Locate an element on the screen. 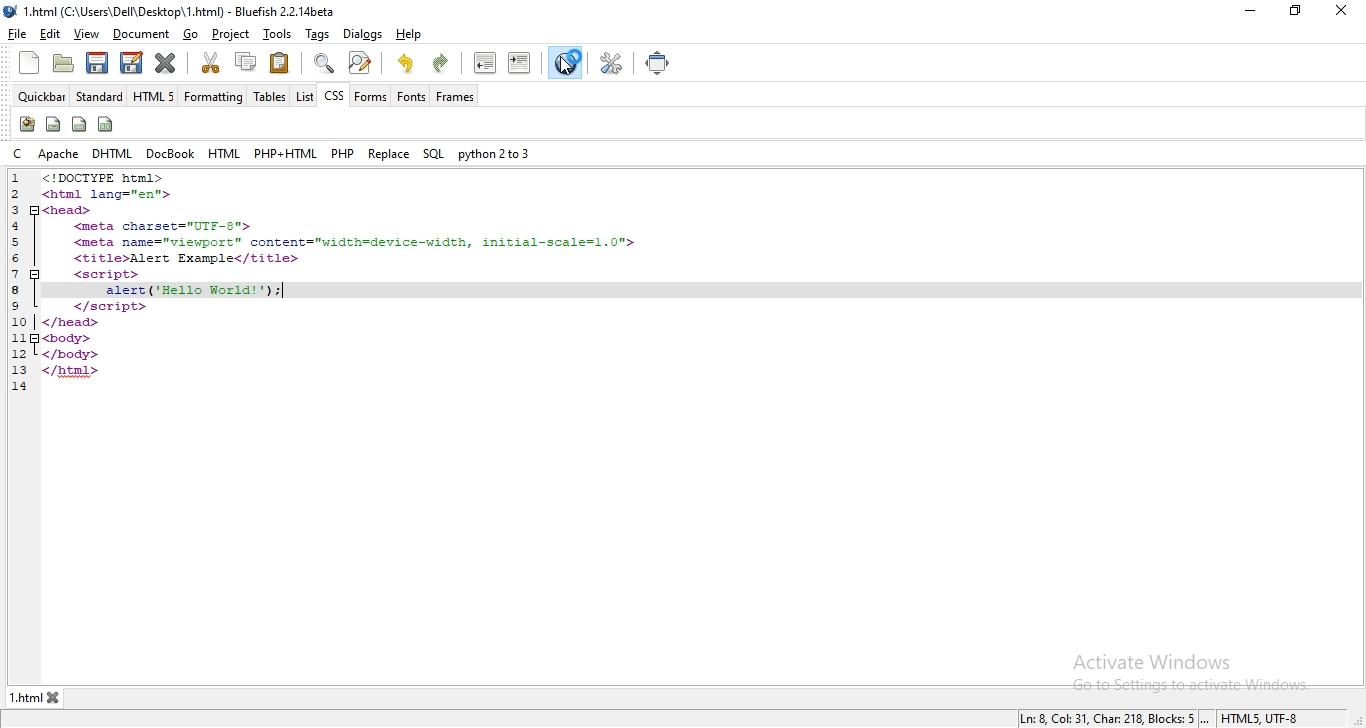 The width and height of the screenshot is (1366, 728). icon is located at coordinates (26, 125).